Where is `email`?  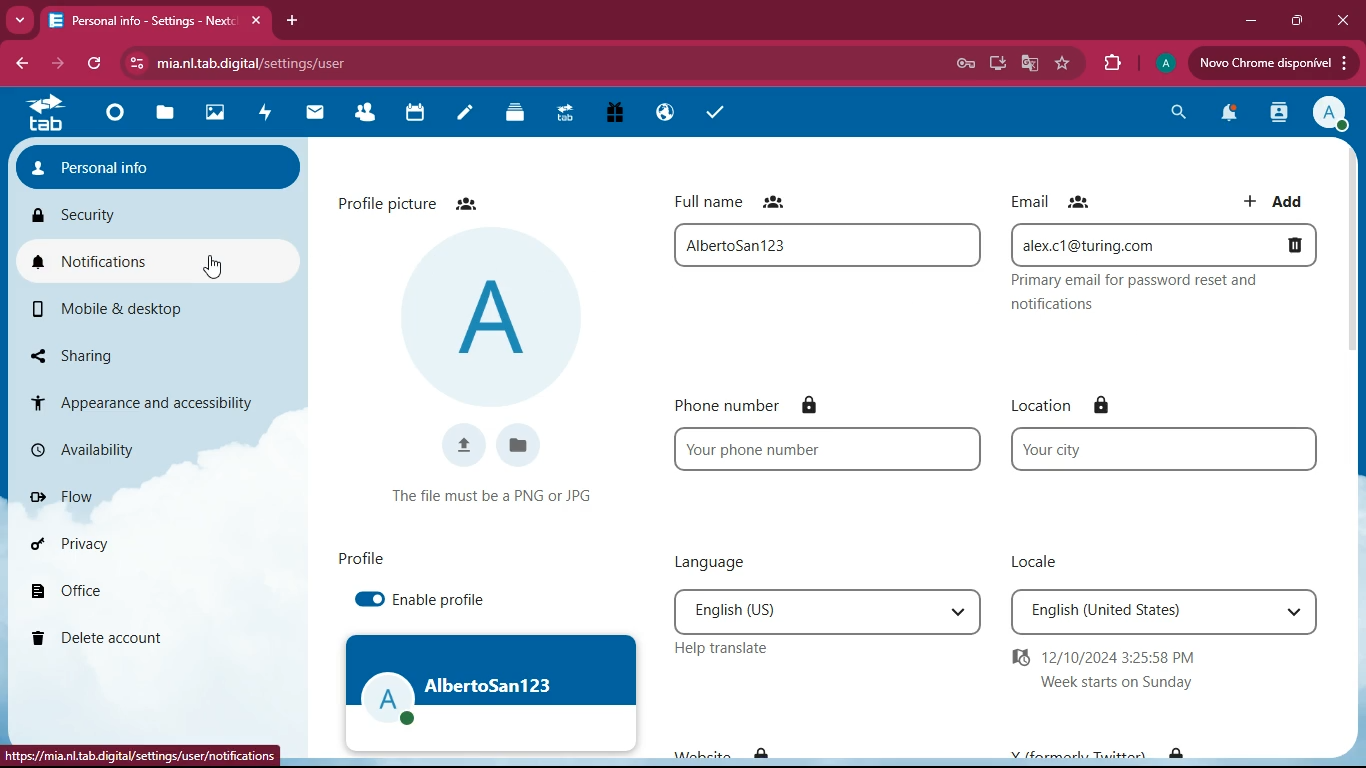
email is located at coordinates (1060, 202).